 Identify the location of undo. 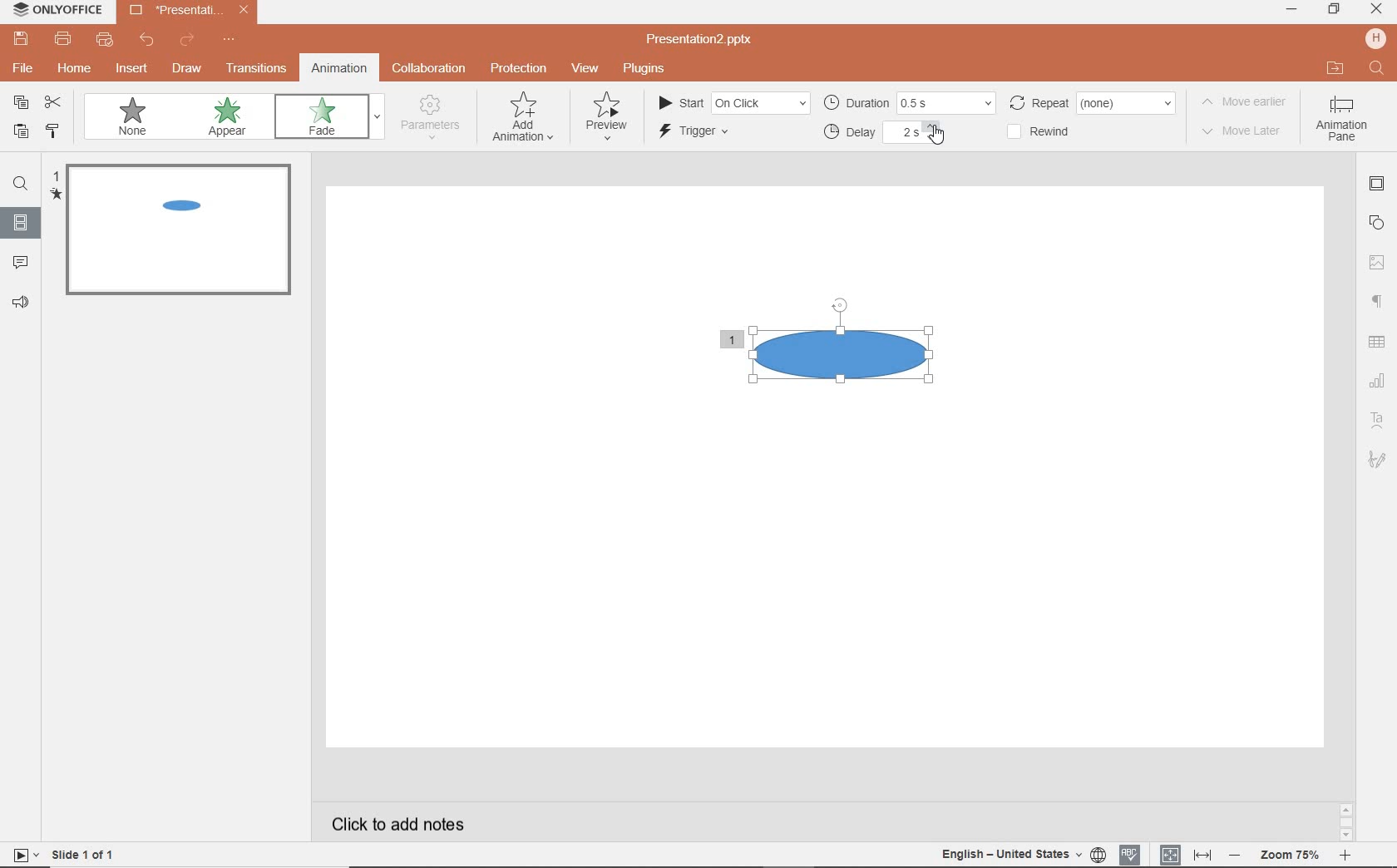
(149, 39).